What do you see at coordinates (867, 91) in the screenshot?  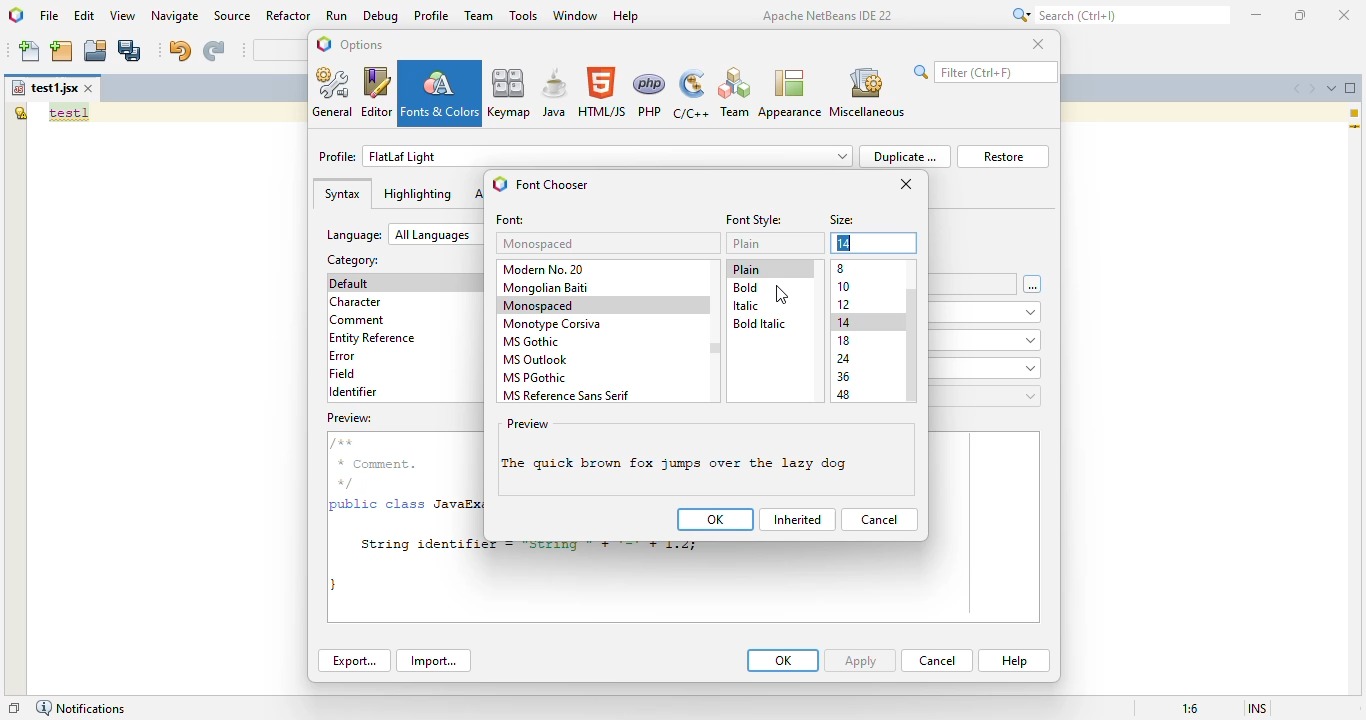 I see `miscellaneous` at bounding box center [867, 91].